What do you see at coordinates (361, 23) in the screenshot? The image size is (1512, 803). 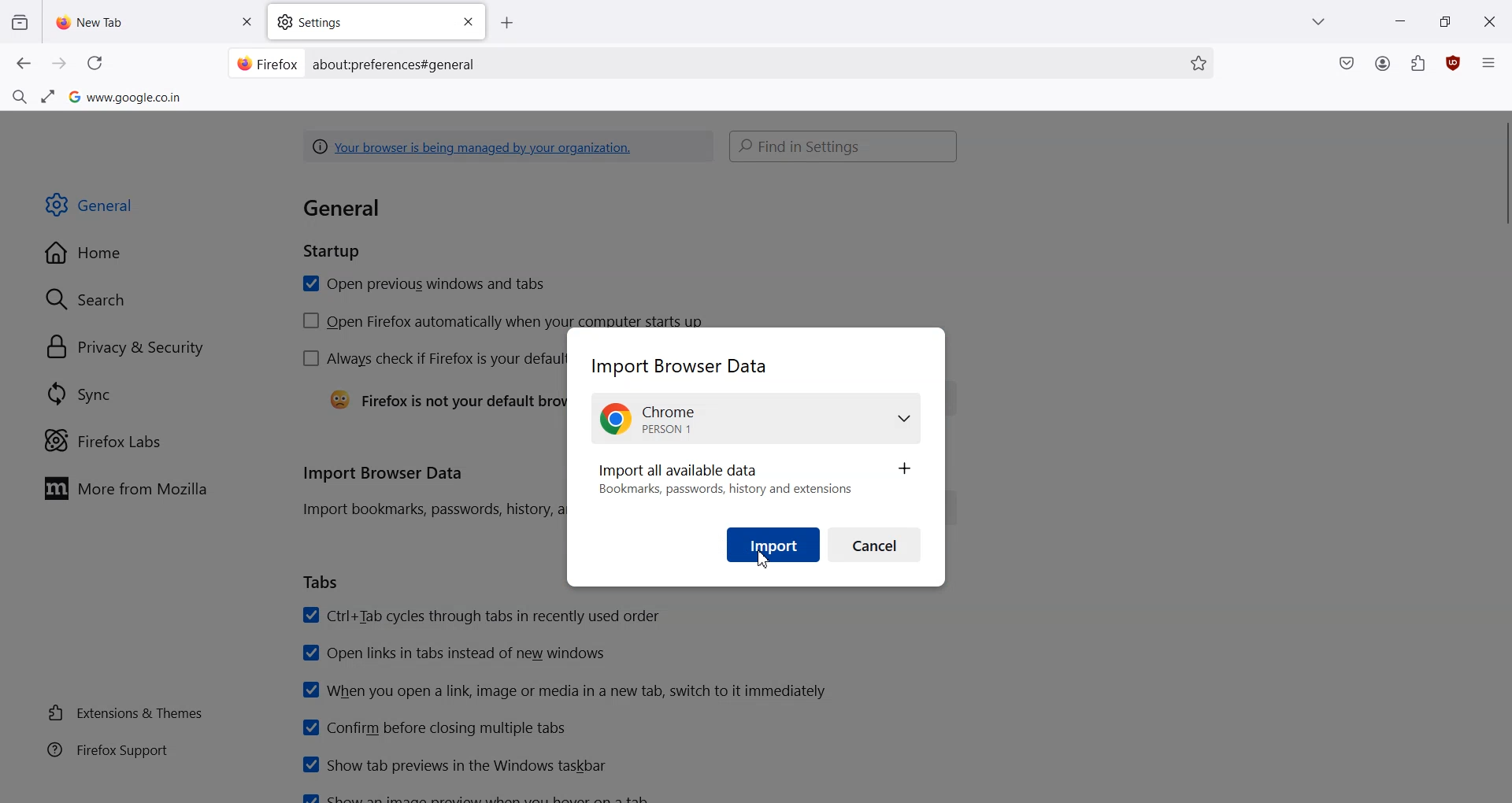 I see `Settings` at bounding box center [361, 23].